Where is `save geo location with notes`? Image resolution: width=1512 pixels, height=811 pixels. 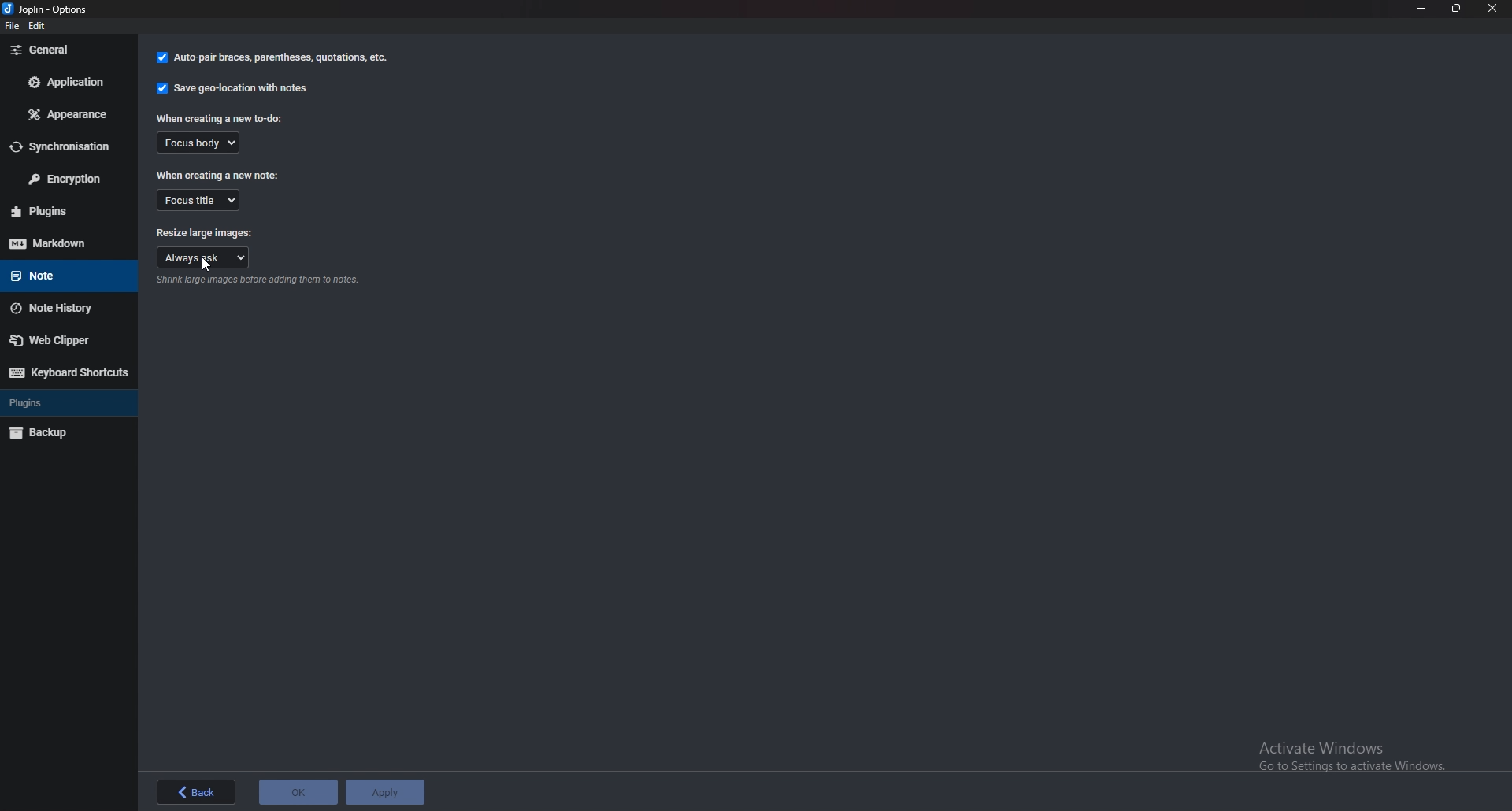 save geo location with notes is located at coordinates (232, 91).